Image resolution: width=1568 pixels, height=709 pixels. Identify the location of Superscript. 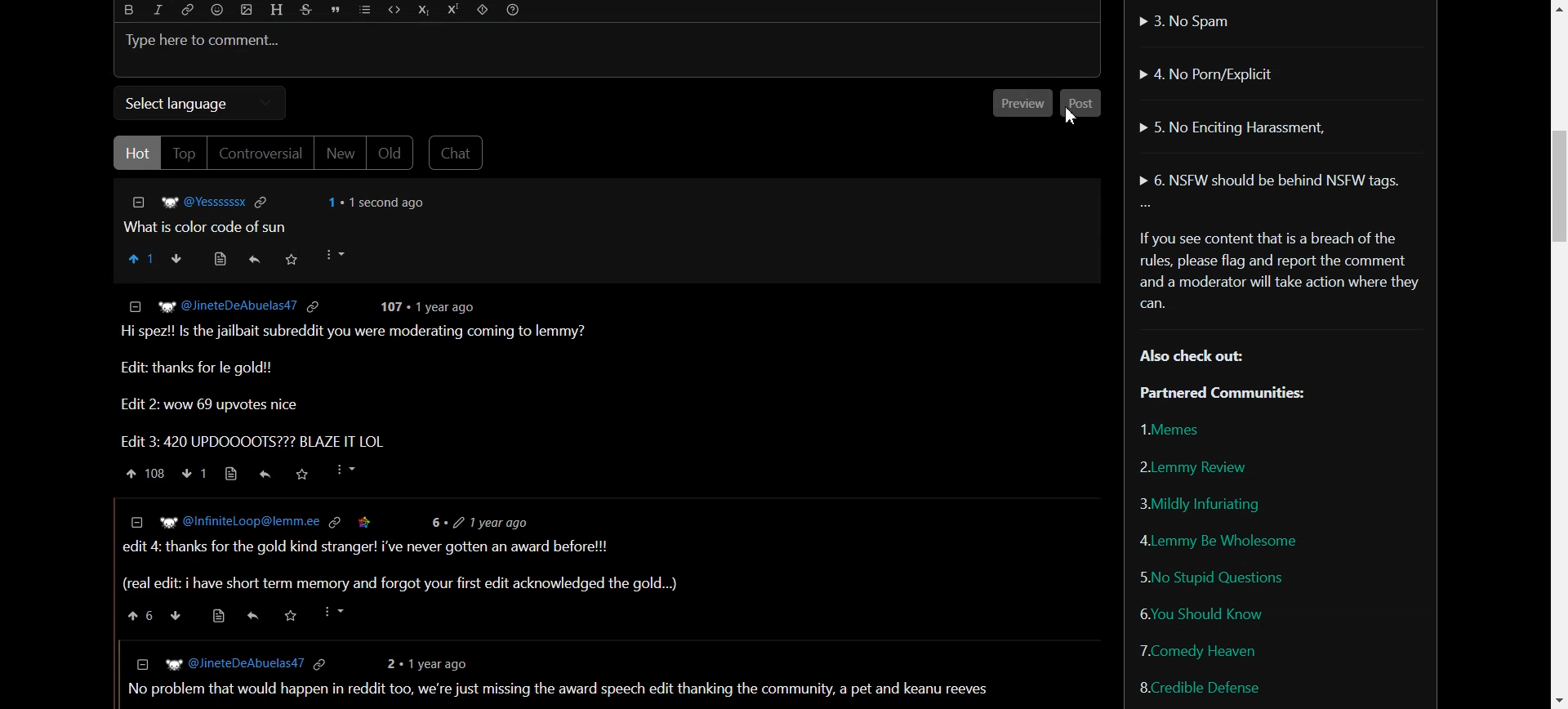
(452, 11).